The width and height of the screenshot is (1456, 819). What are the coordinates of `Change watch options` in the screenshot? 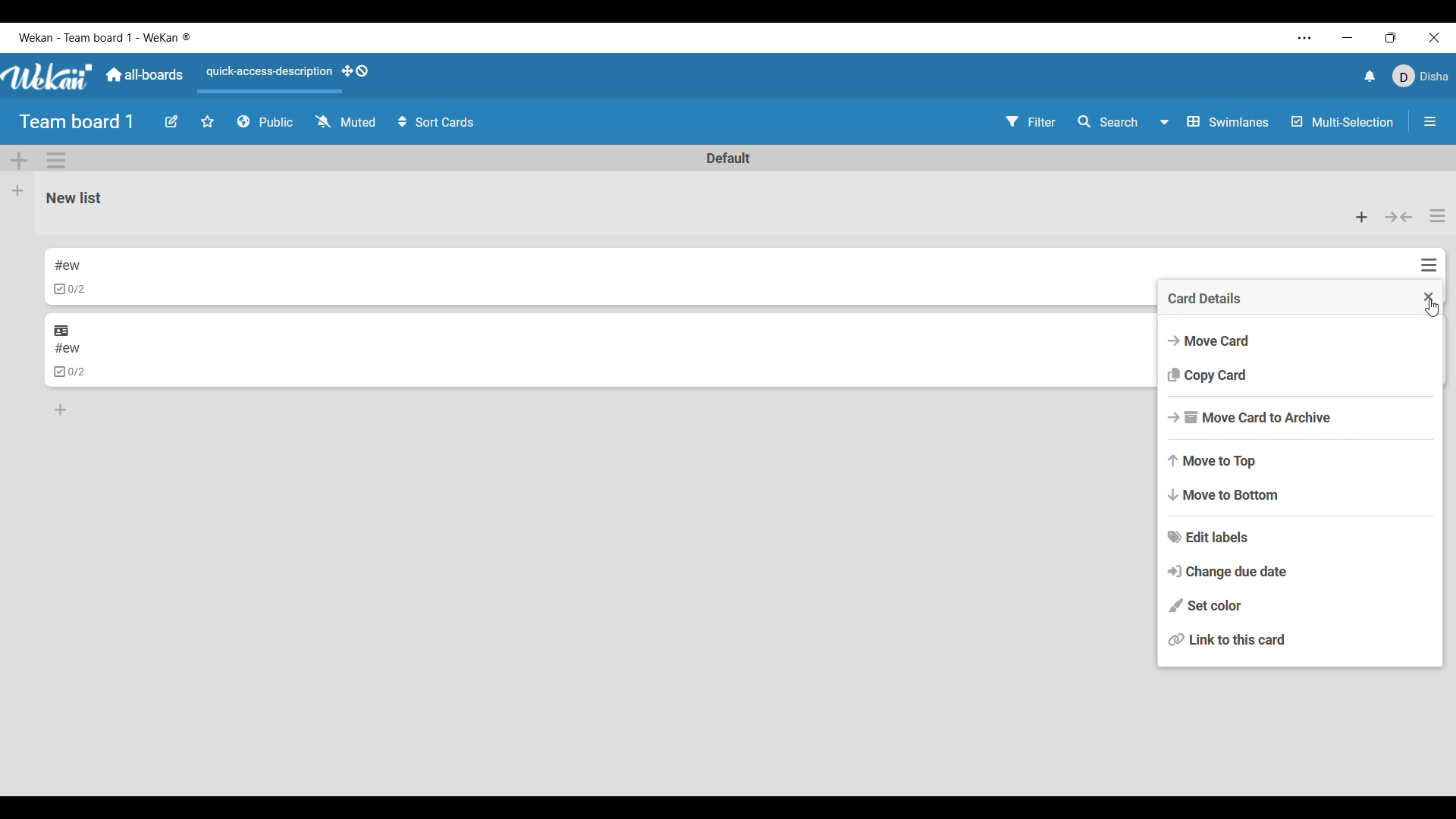 It's located at (345, 121).